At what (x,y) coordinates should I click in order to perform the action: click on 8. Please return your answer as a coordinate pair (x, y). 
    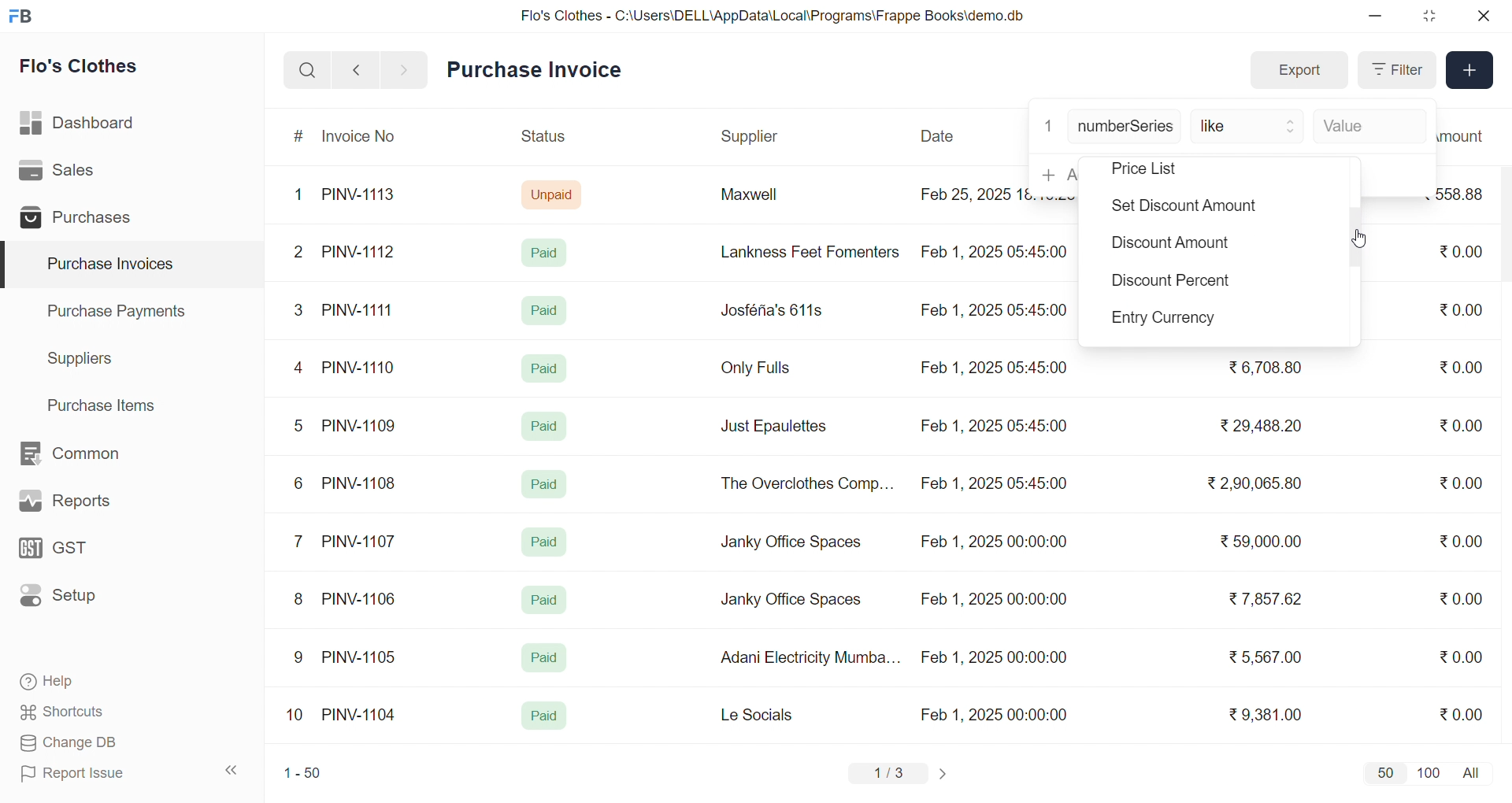
    Looking at the image, I should click on (299, 601).